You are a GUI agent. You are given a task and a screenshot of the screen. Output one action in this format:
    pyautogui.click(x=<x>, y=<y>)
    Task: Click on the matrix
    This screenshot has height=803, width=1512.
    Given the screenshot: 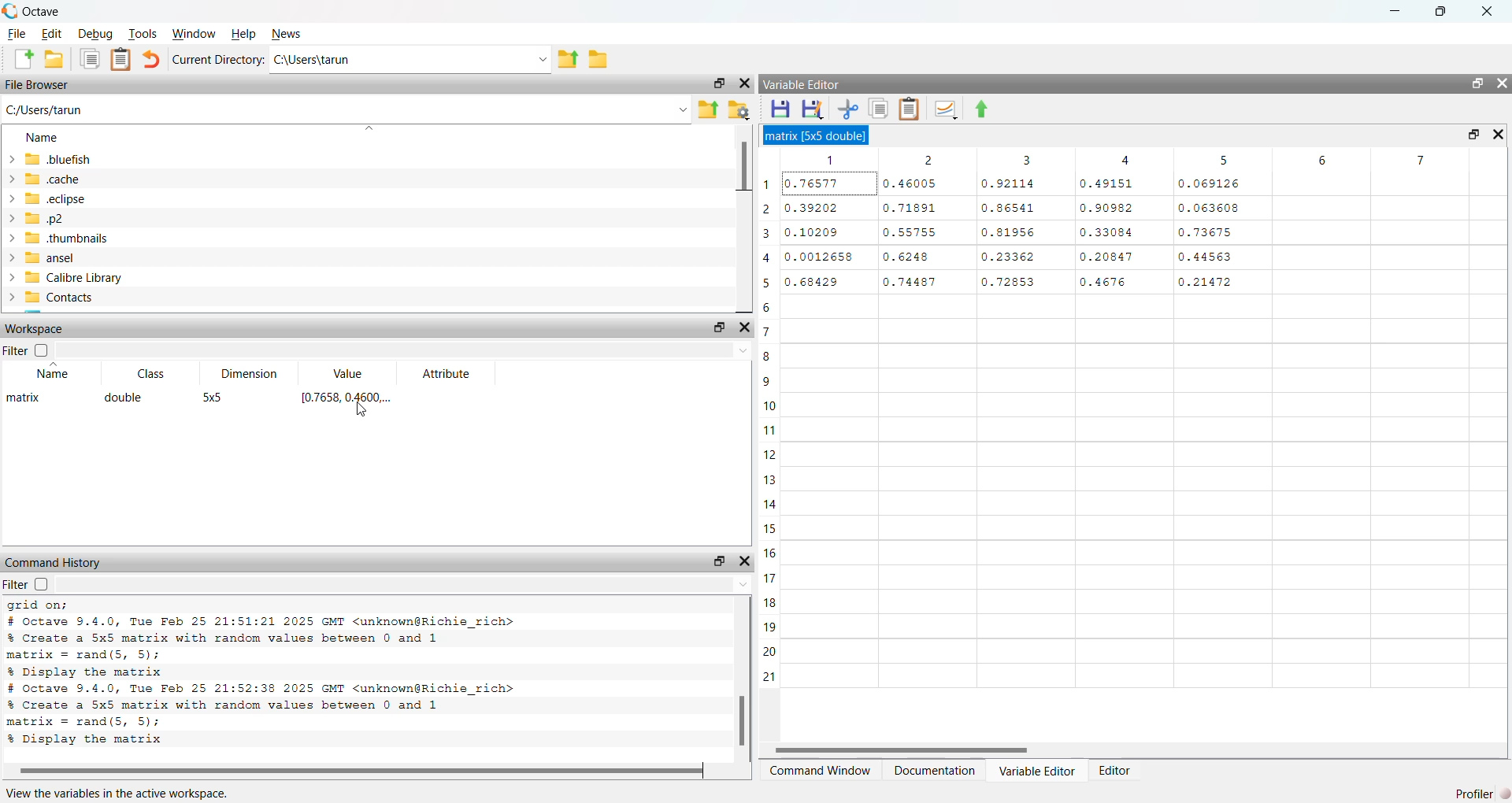 What is the action you would take?
    pyautogui.click(x=28, y=403)
    